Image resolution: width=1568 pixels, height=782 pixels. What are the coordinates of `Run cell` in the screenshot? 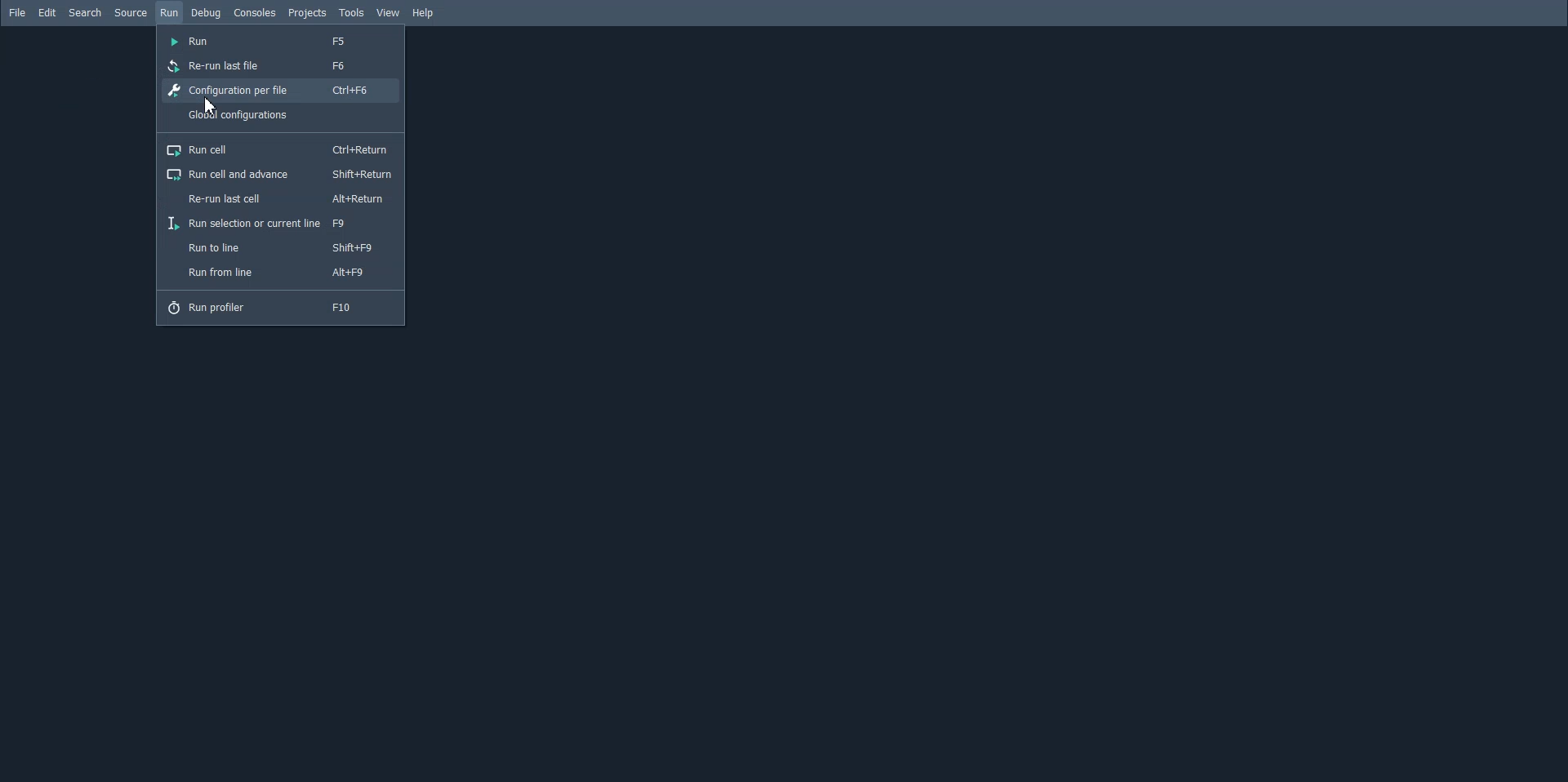 It's located at (277, 149).